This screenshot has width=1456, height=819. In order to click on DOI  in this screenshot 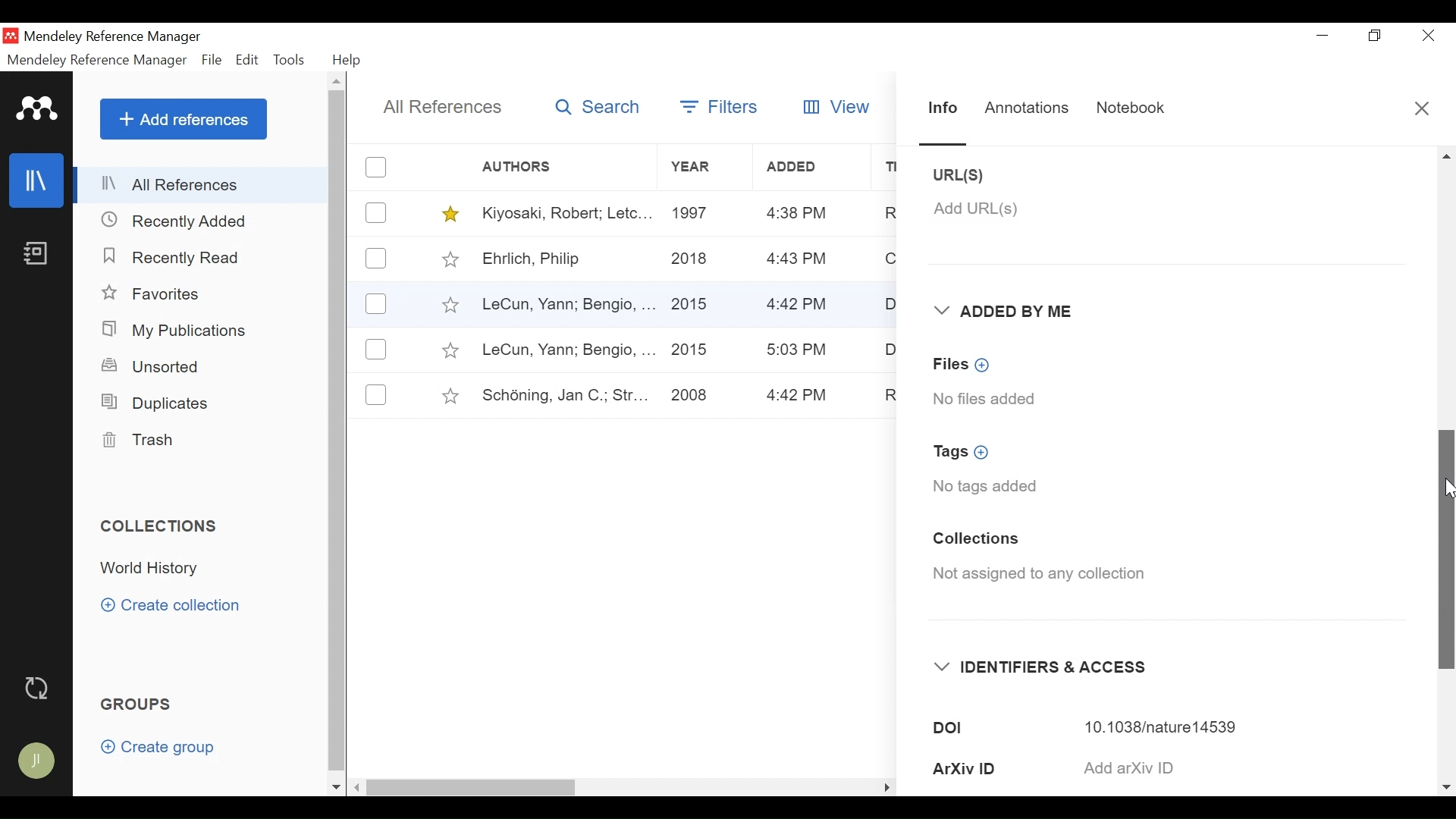, I will do `click(1171, 726)`.